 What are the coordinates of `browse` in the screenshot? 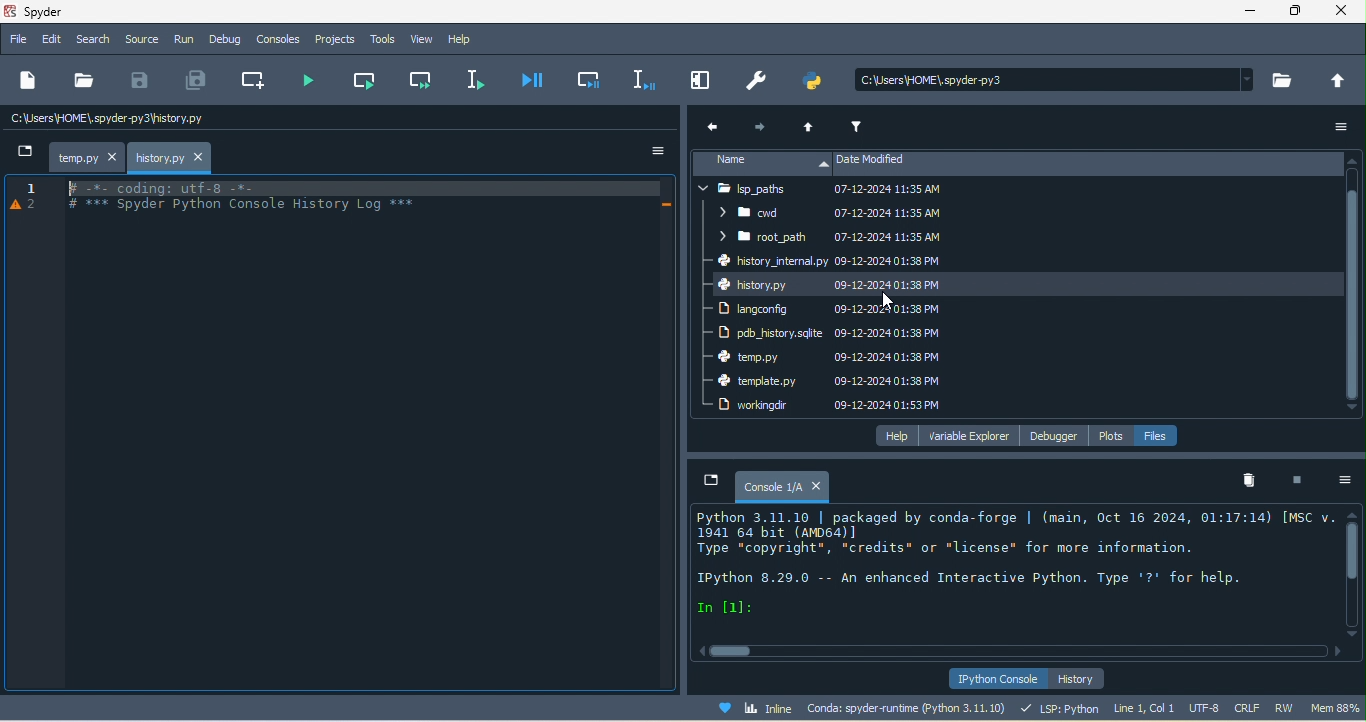 It's located at (1283, 81).